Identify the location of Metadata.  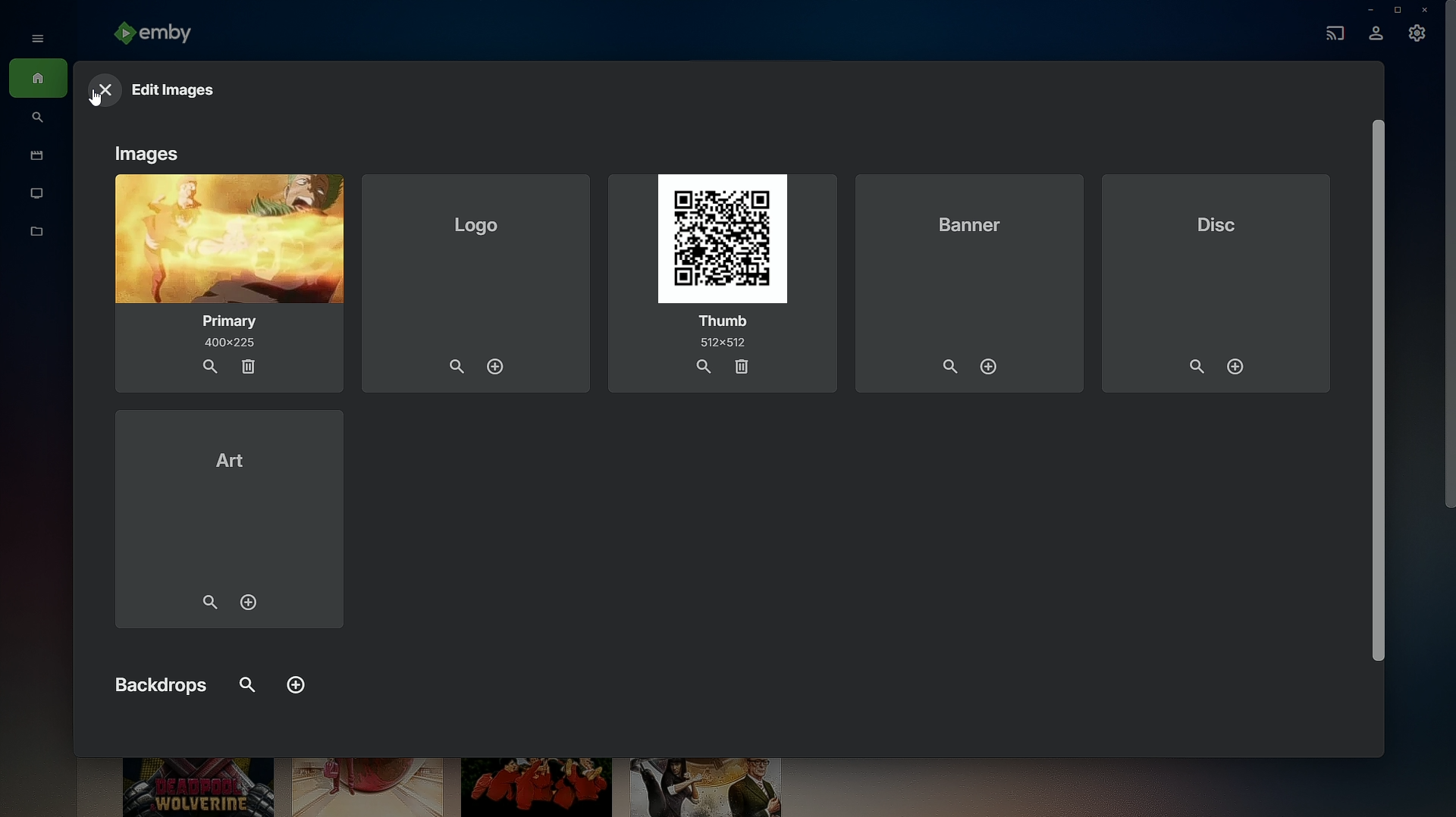
(38, 239).